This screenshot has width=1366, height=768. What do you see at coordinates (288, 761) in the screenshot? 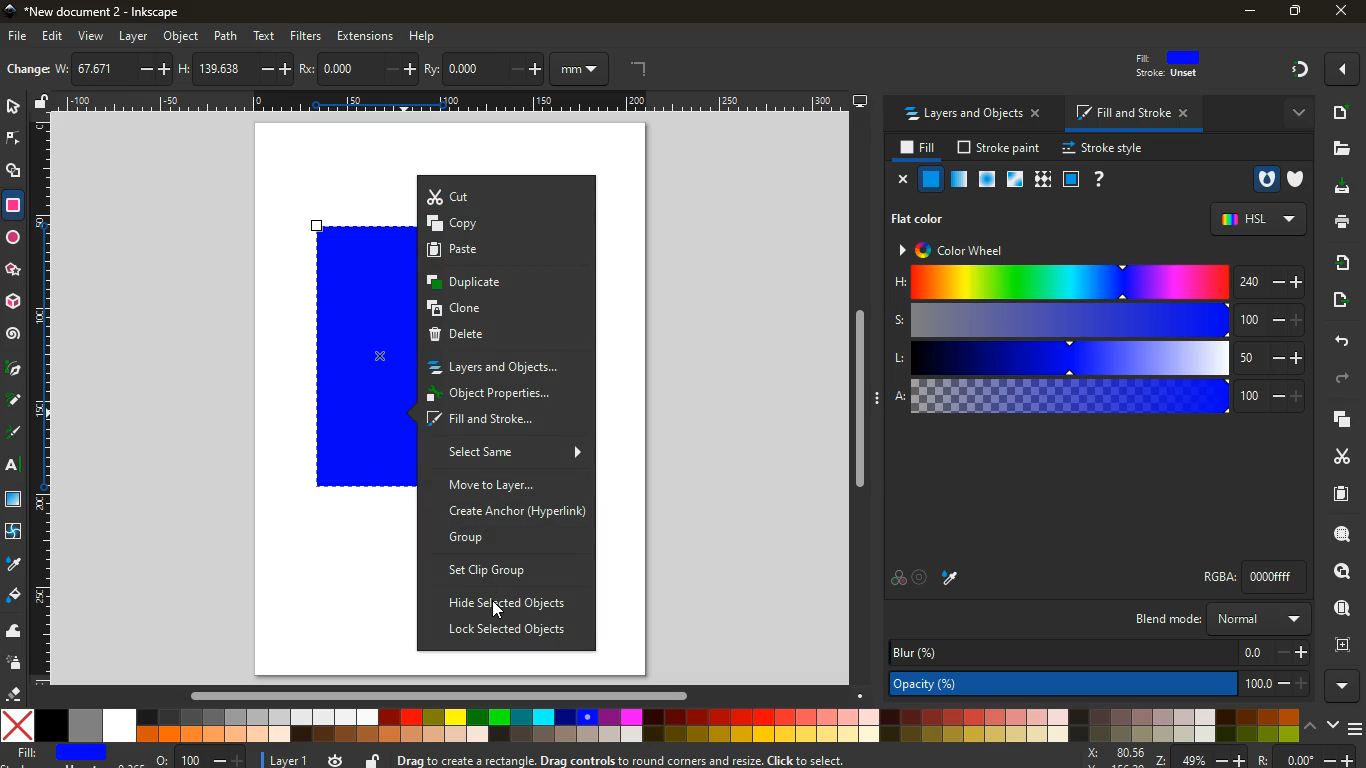
I see `layer 1` at bounding box center [288, 761].